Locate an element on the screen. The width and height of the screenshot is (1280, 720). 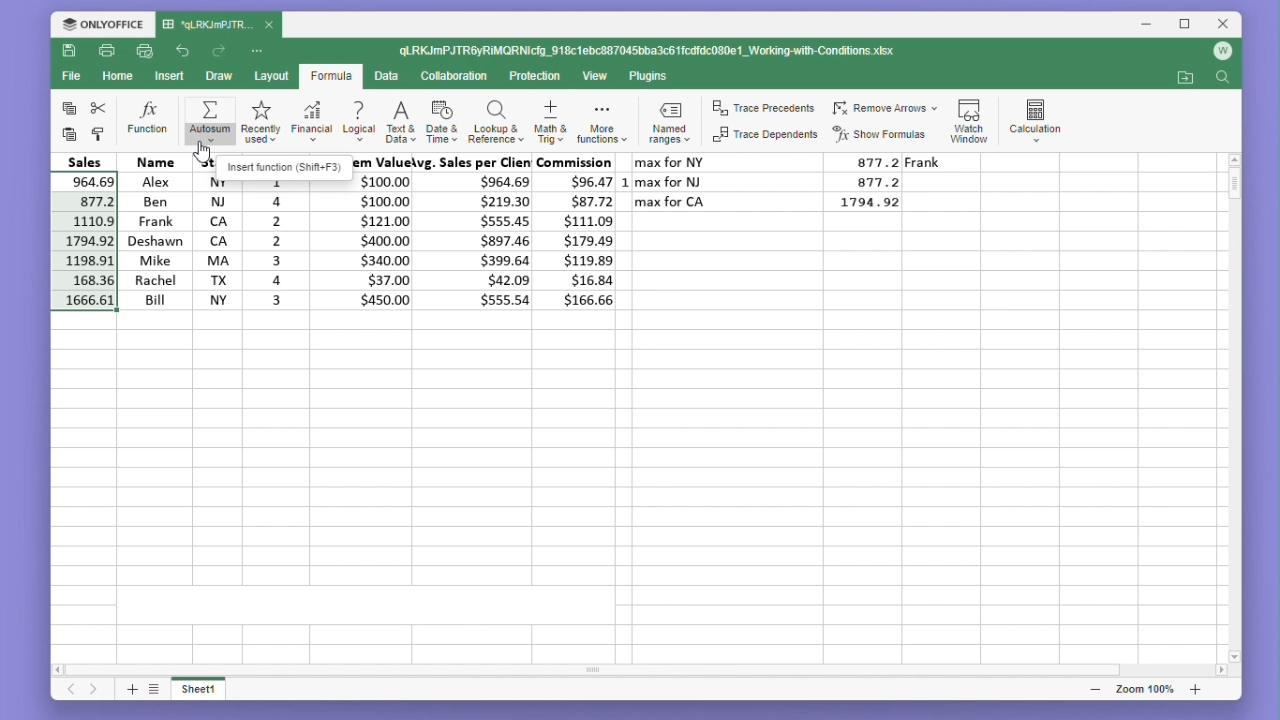
cut is located at coordinates (99, 108).